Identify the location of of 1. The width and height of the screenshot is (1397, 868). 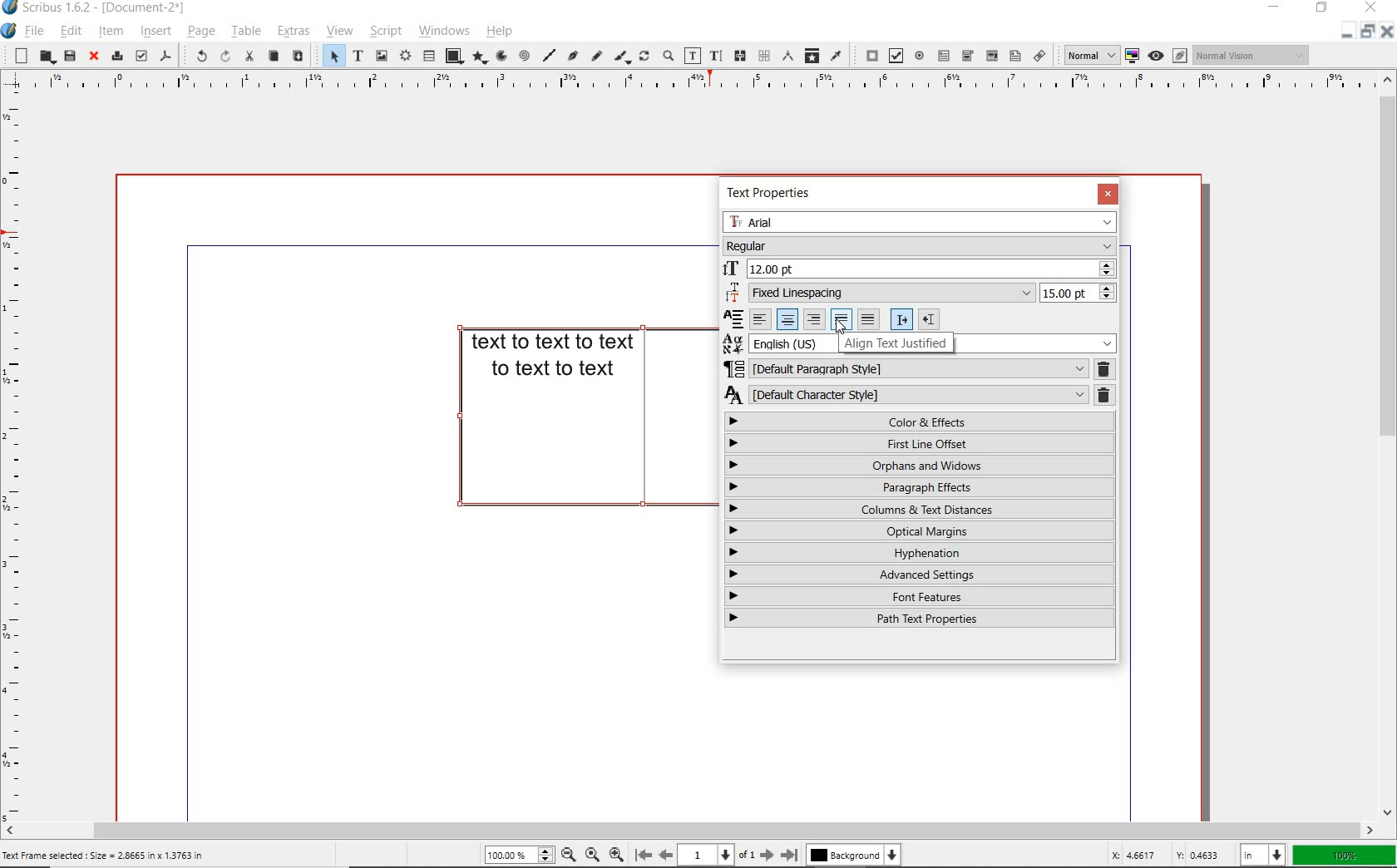
(748, 853).